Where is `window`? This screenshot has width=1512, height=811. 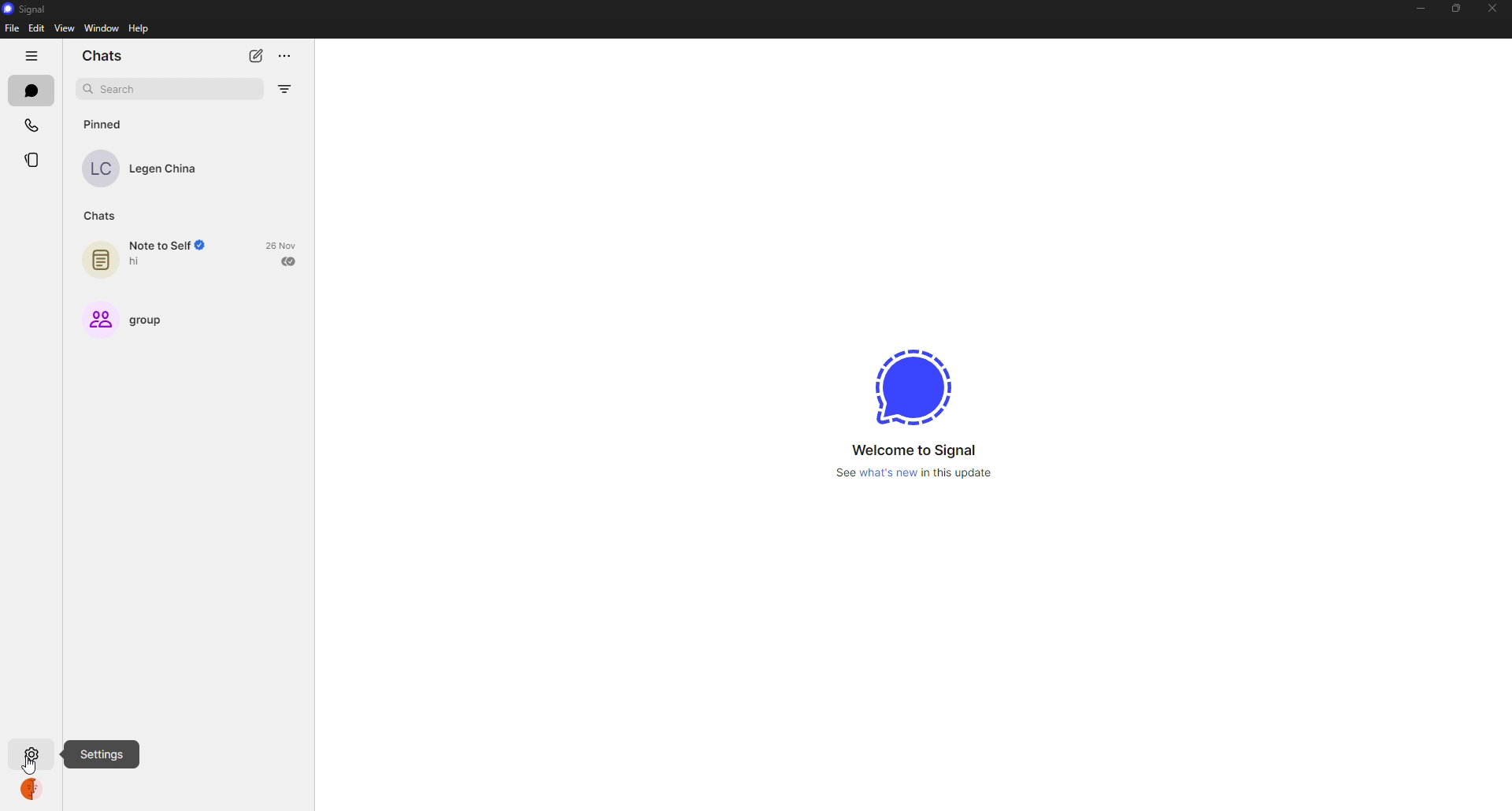
window is located at coordinates (102, 29).